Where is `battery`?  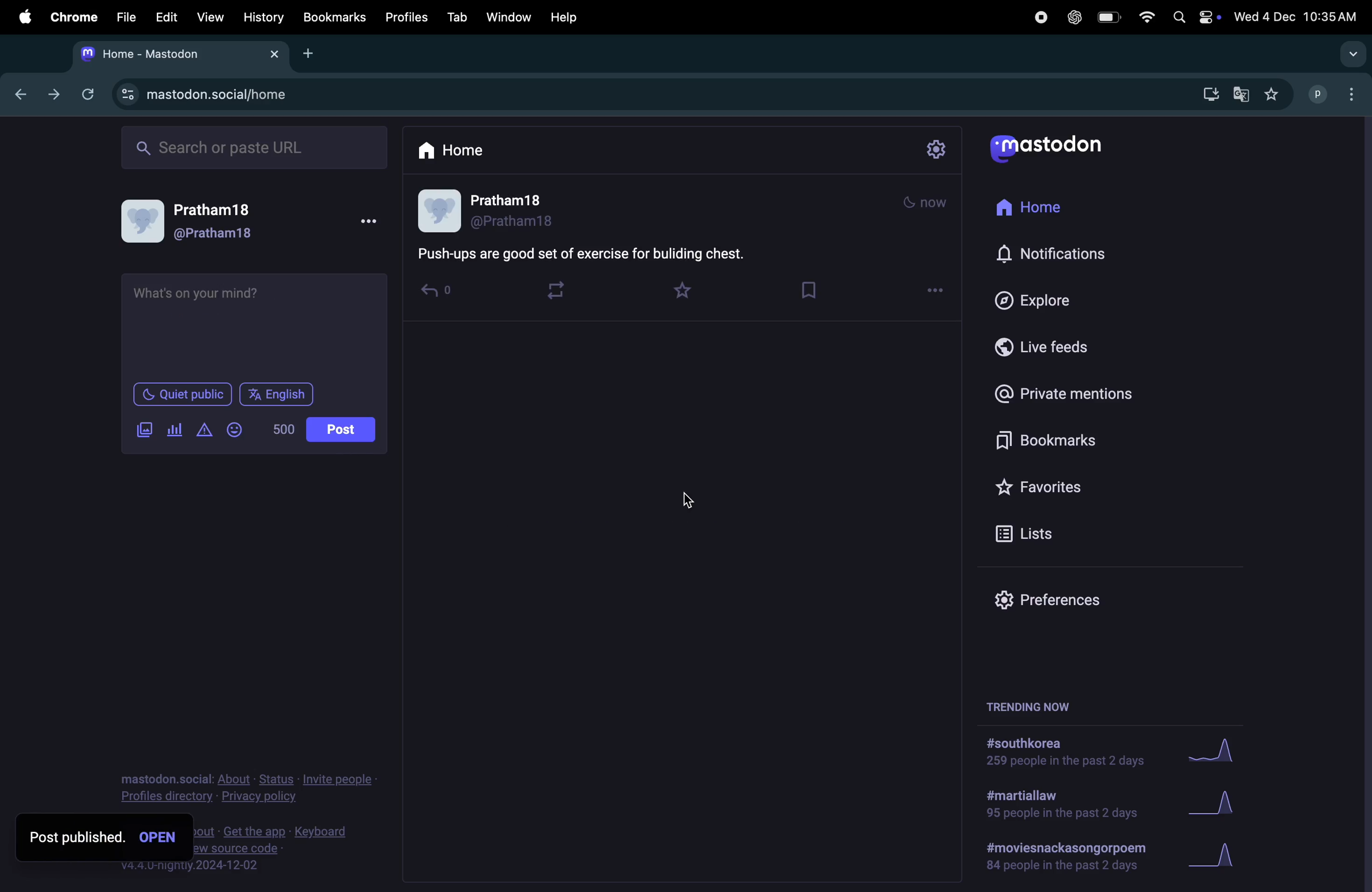 battery is located at coordinates (1111, 18).